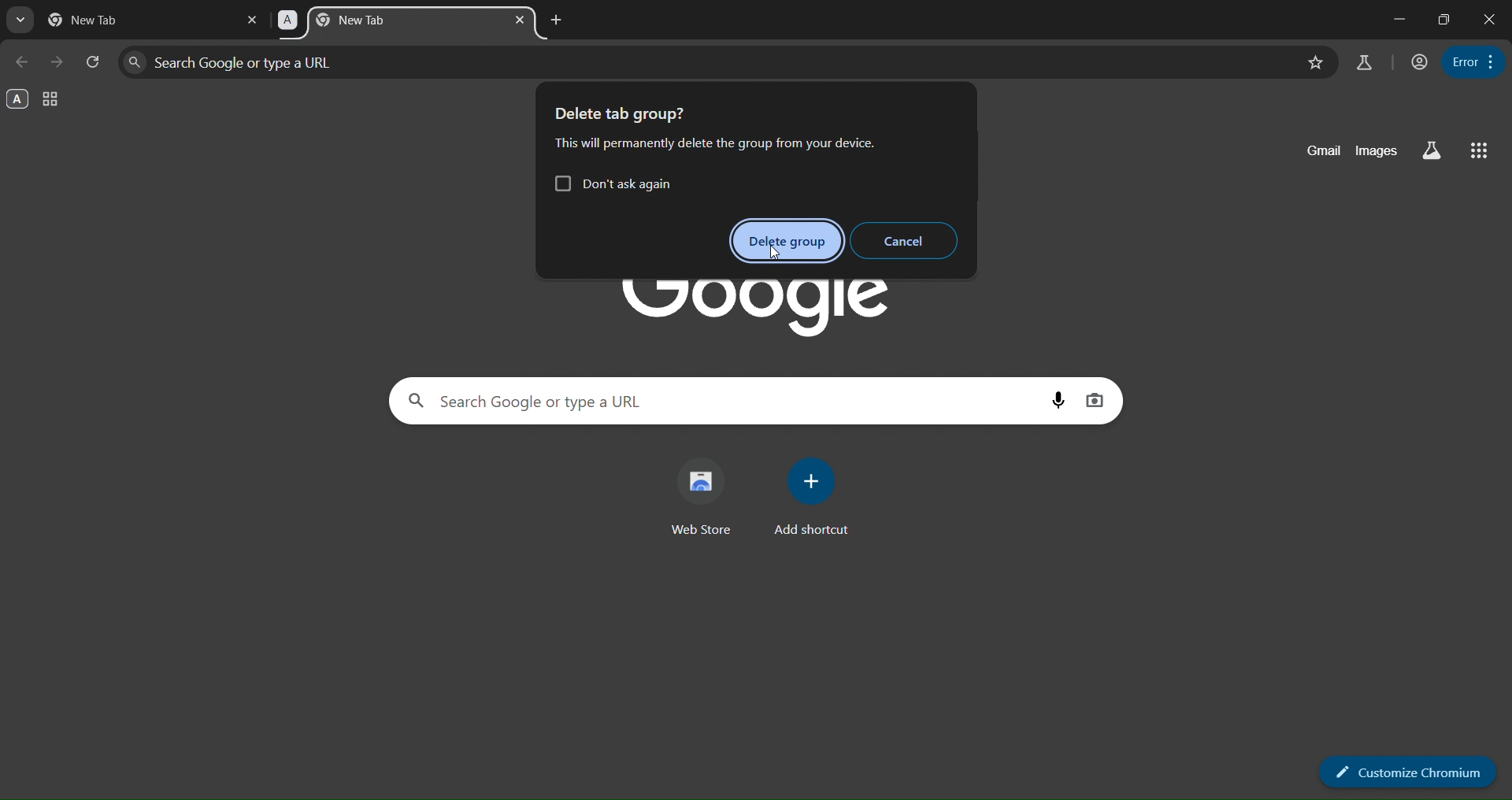 This screenshot has height=800, width=1512. Describe the element at coordinates (1095, 400) in the screenshot. I see `image search` at that location.